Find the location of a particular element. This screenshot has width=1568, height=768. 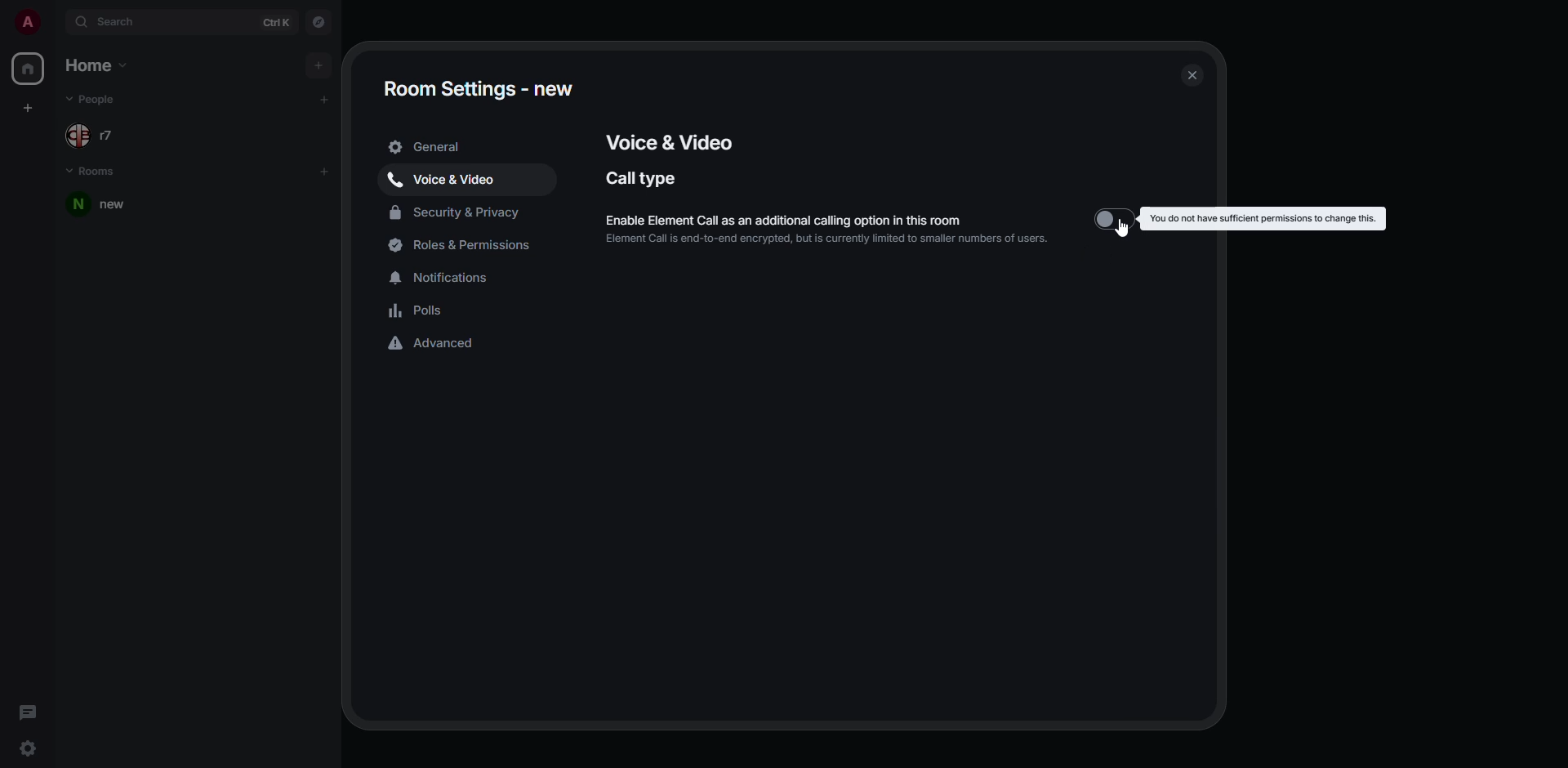

navigator is located at coordinates (319, 23).